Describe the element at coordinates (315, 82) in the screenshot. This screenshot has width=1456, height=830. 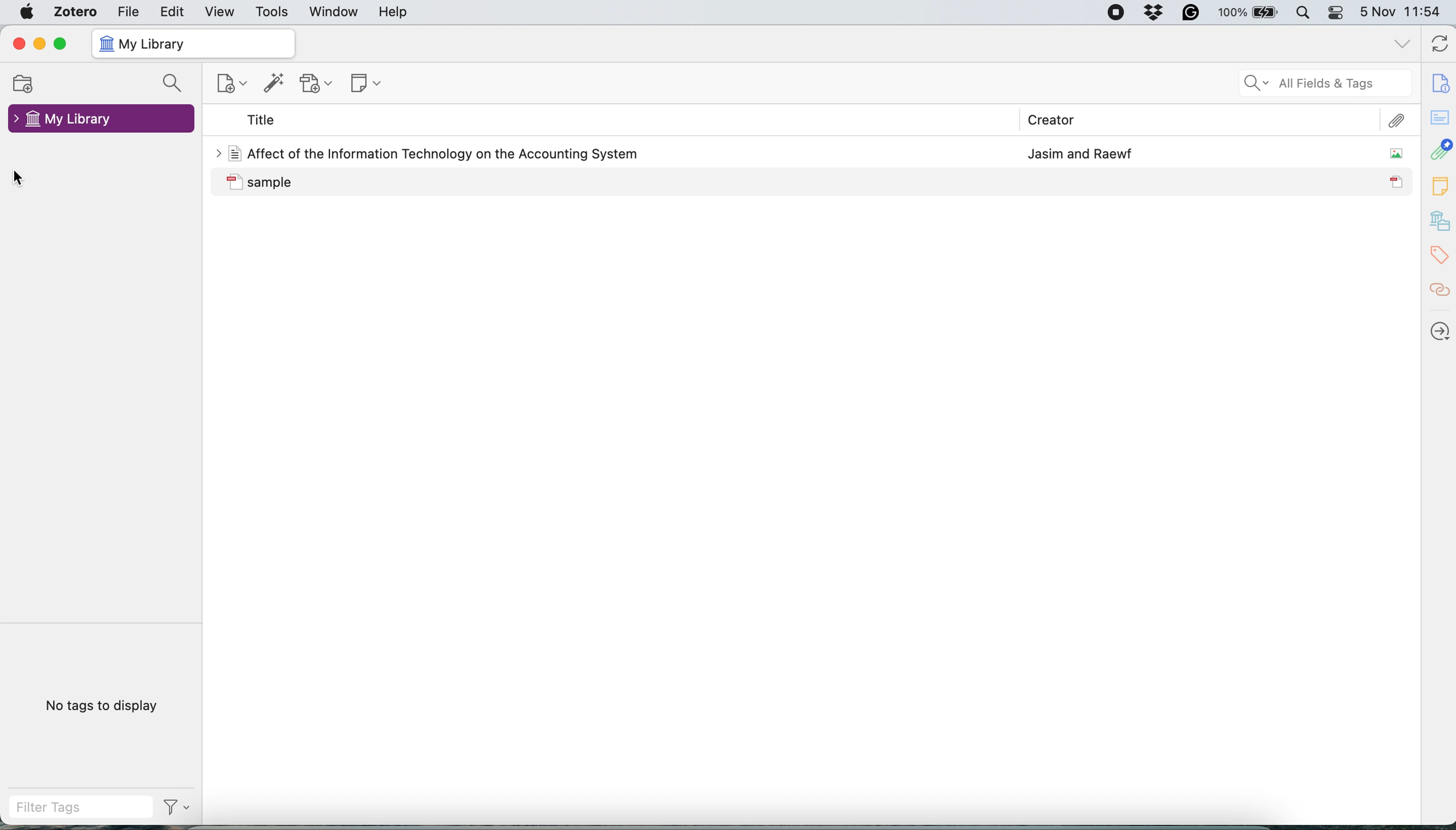
I see `new attachment` at that location.